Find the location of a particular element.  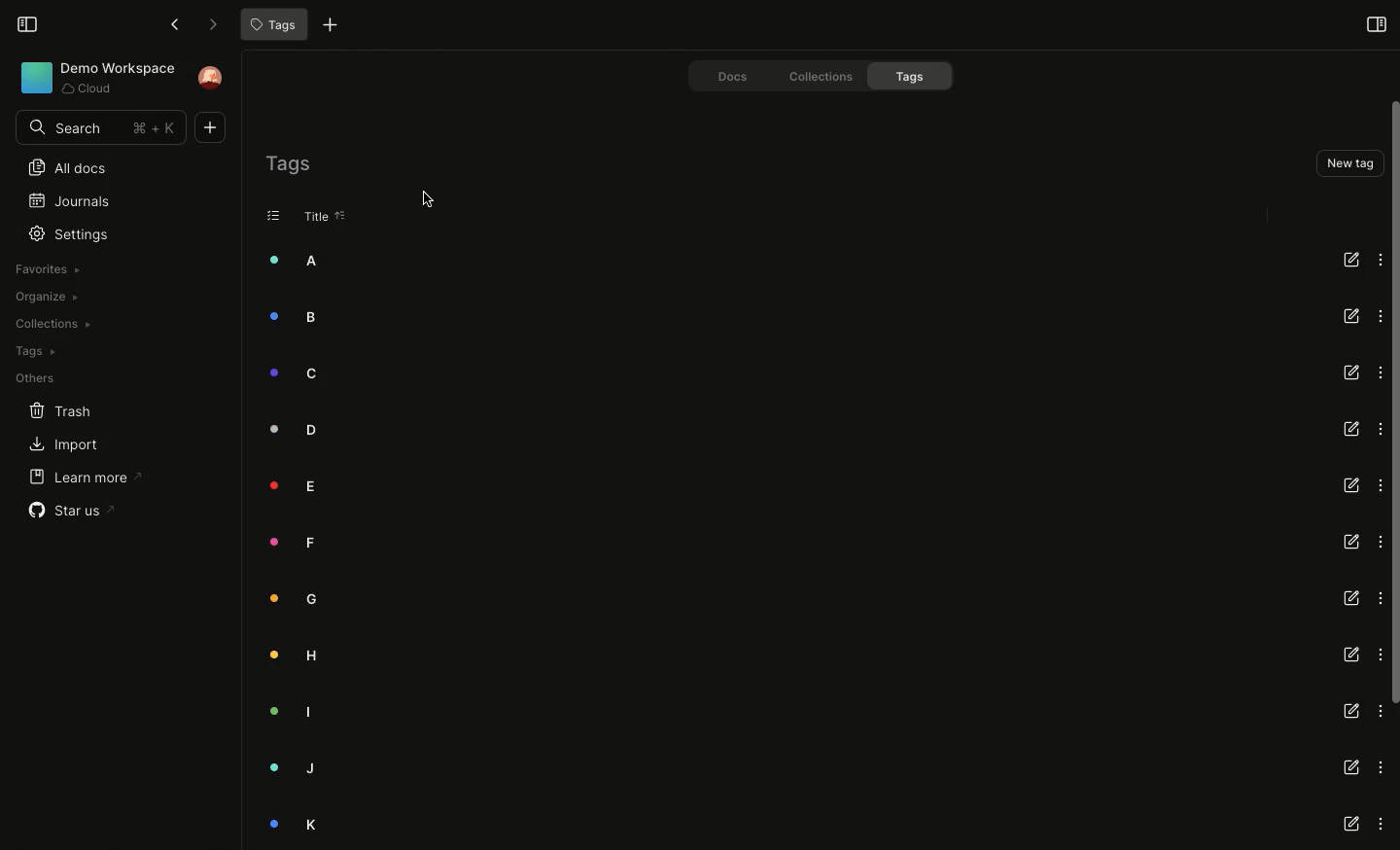

Options is located at coordinates (1377, 258).